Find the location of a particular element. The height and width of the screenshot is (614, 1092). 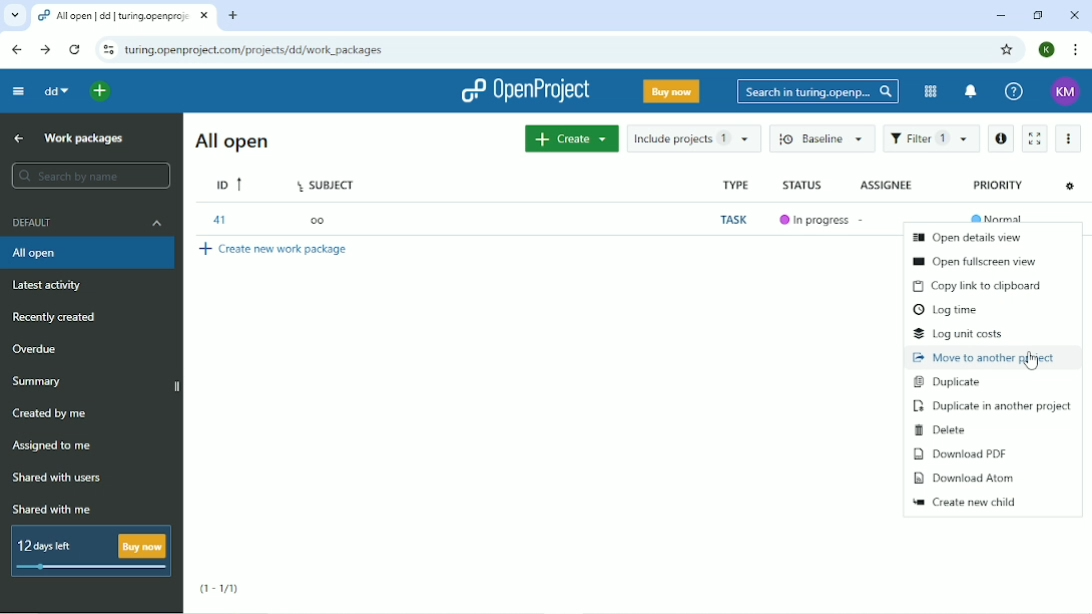

Open details view is located at coordinates (1002, 139).